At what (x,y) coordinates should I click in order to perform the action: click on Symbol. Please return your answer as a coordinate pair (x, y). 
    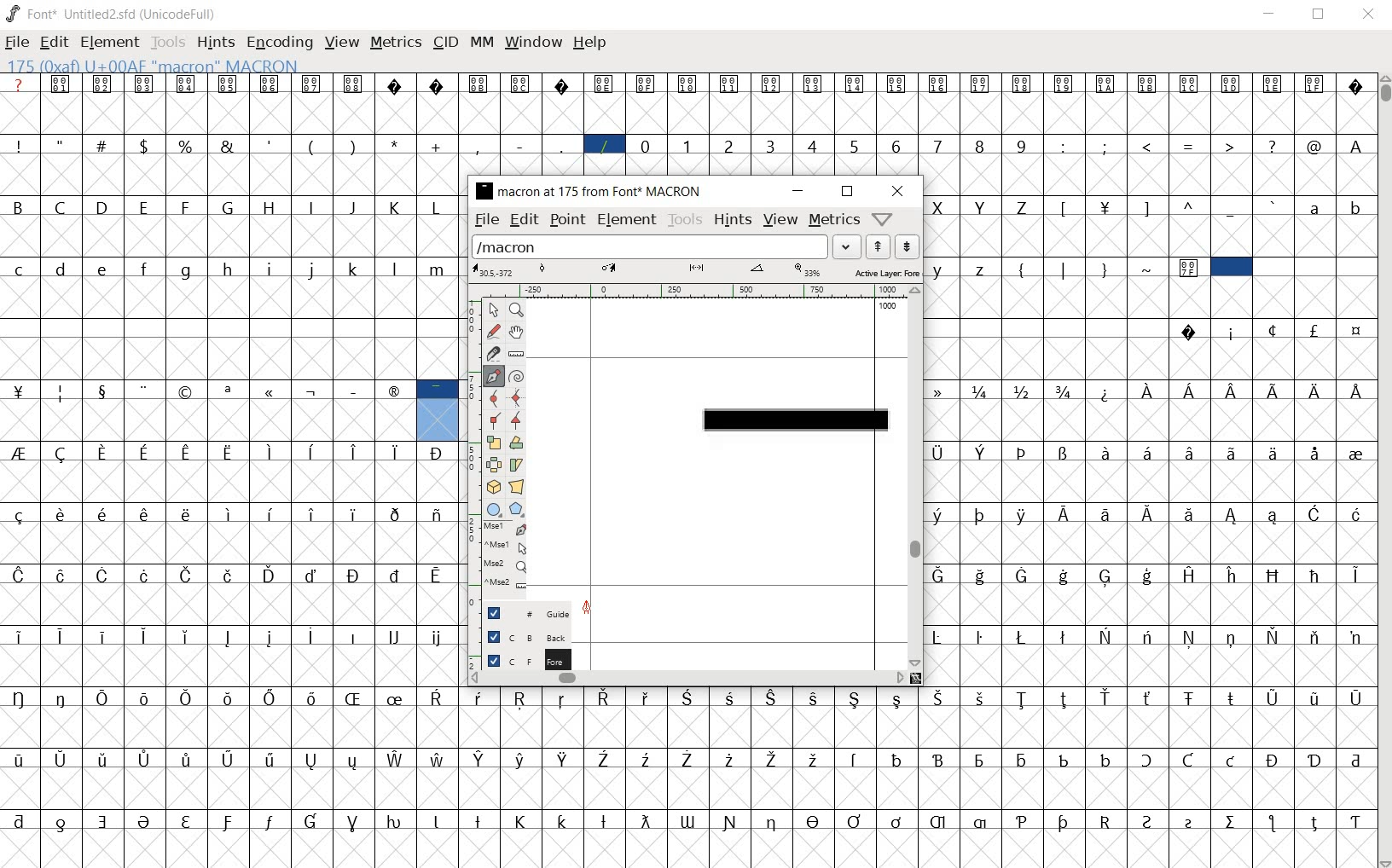
    Looking at the image, I should click on (1147, 760).